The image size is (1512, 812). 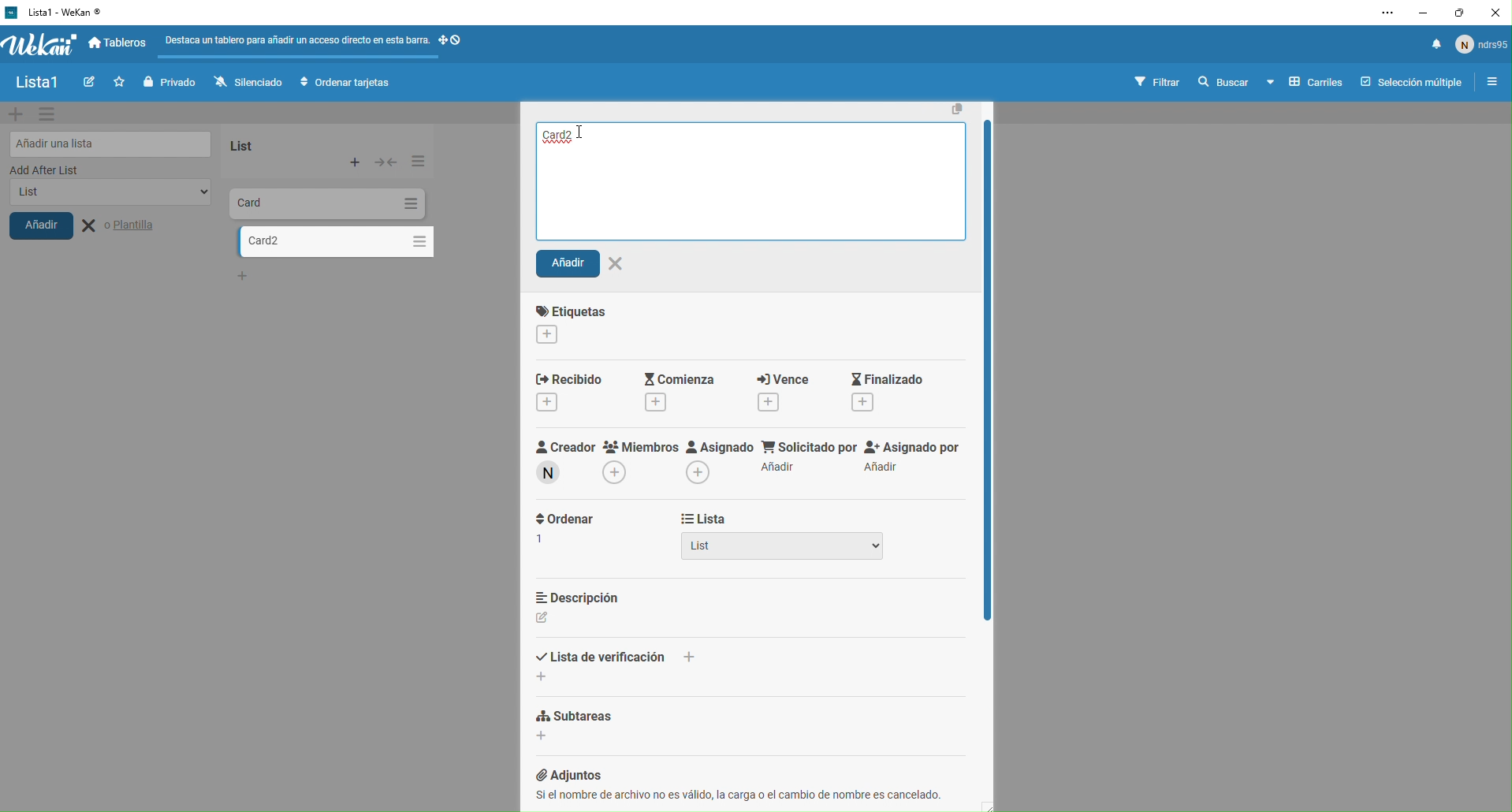 What do you see at coordinates (955, 106) in the screenshot?
I see `Copy` at bounding box center [955, 106].